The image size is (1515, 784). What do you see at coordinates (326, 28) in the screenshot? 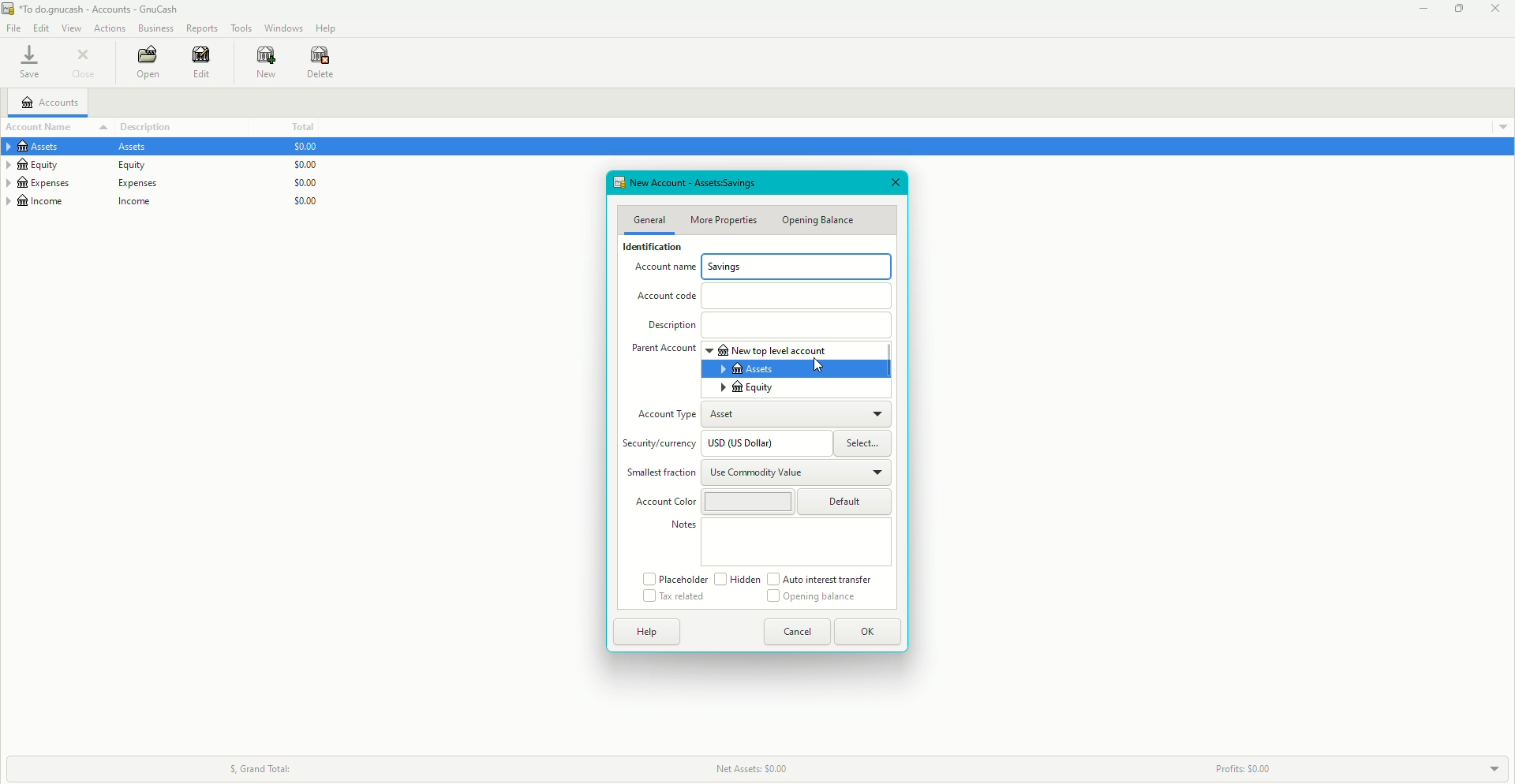
I see `Help` at bounding box center [326, 28].